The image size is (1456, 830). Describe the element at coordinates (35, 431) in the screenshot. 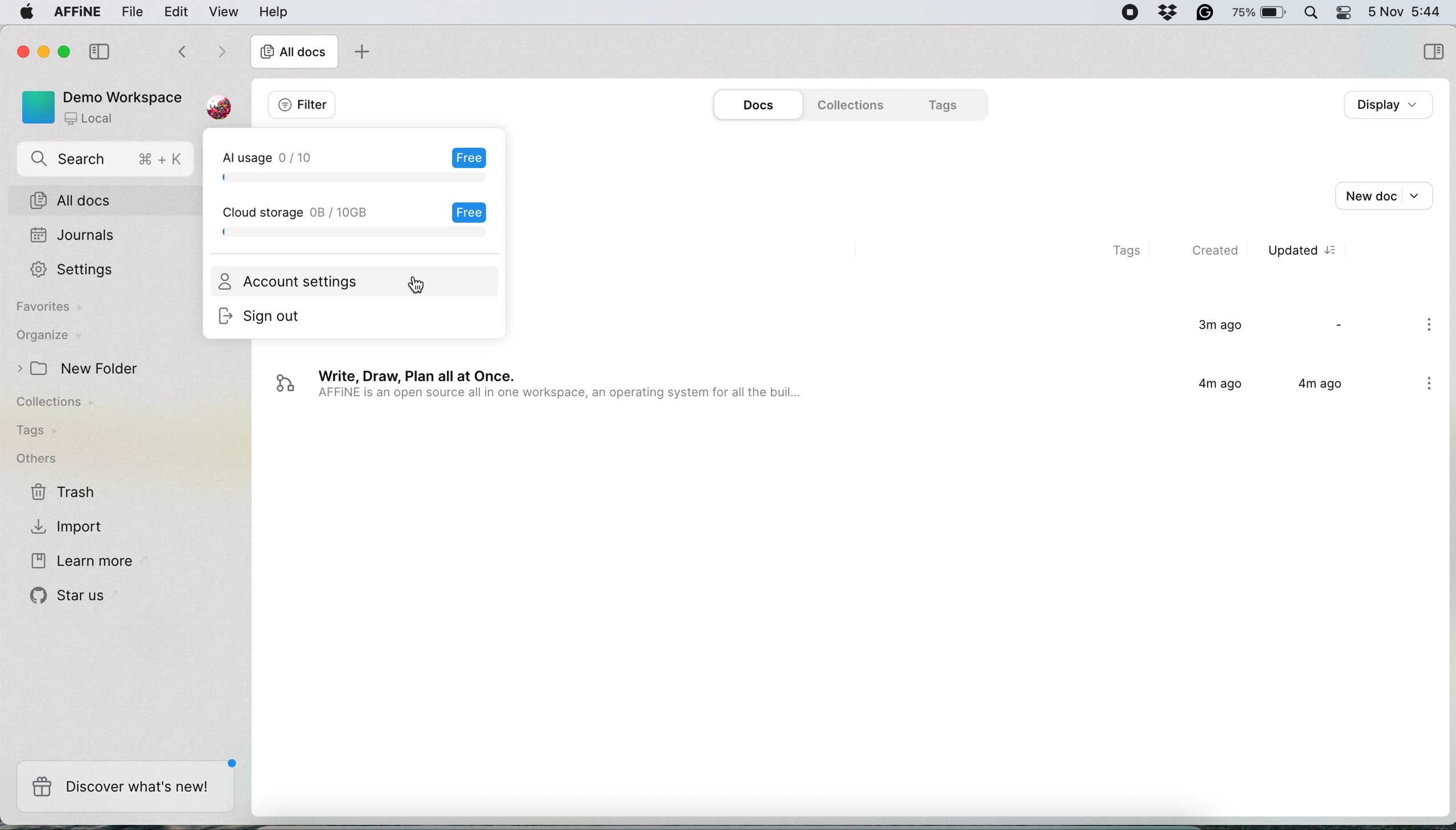

I see `tags` at that location.